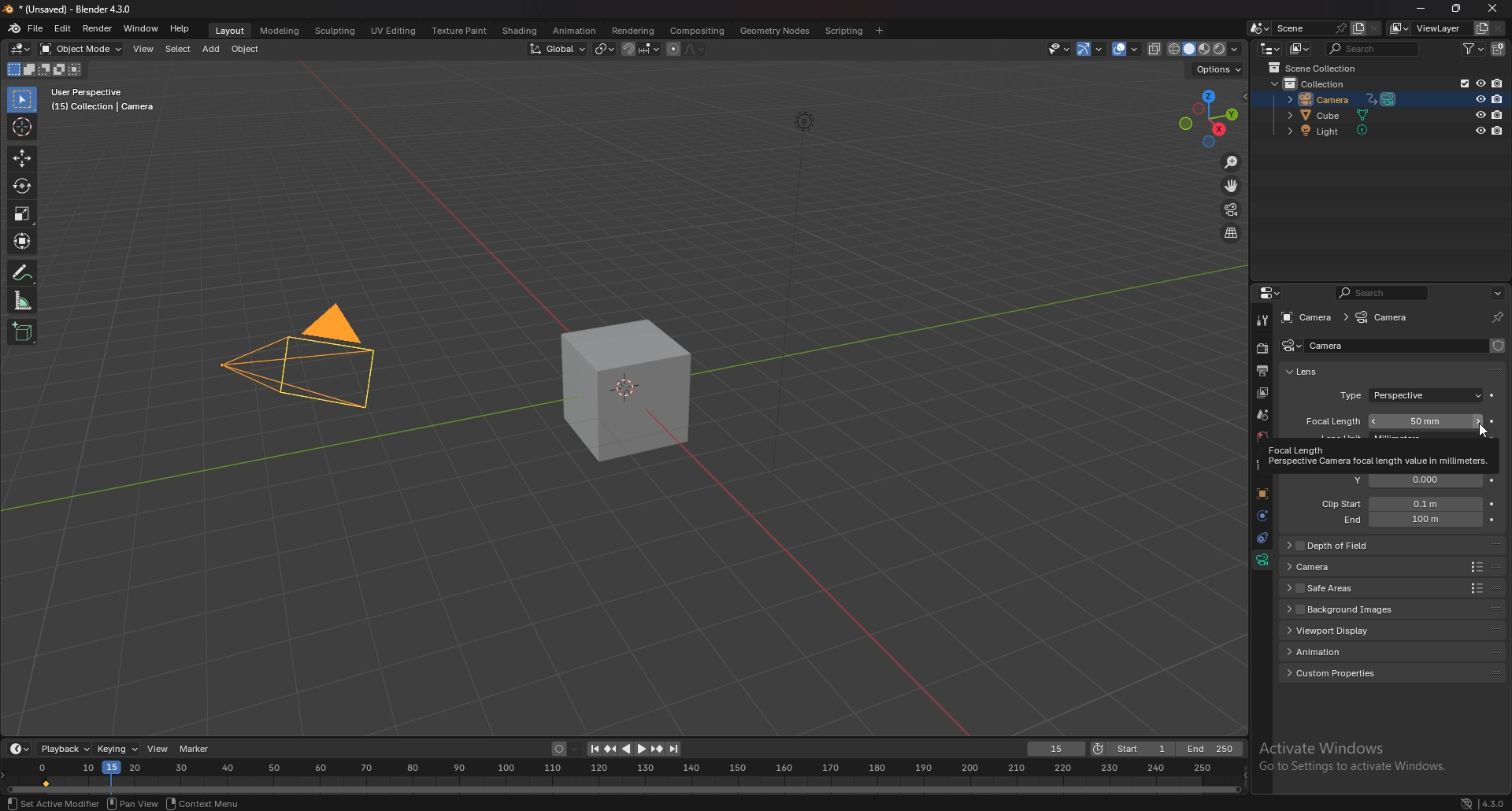  What do you see at coordinates (1492, 503) in the screenshot?
I see `animate property` at bounding box center [1492, 503].